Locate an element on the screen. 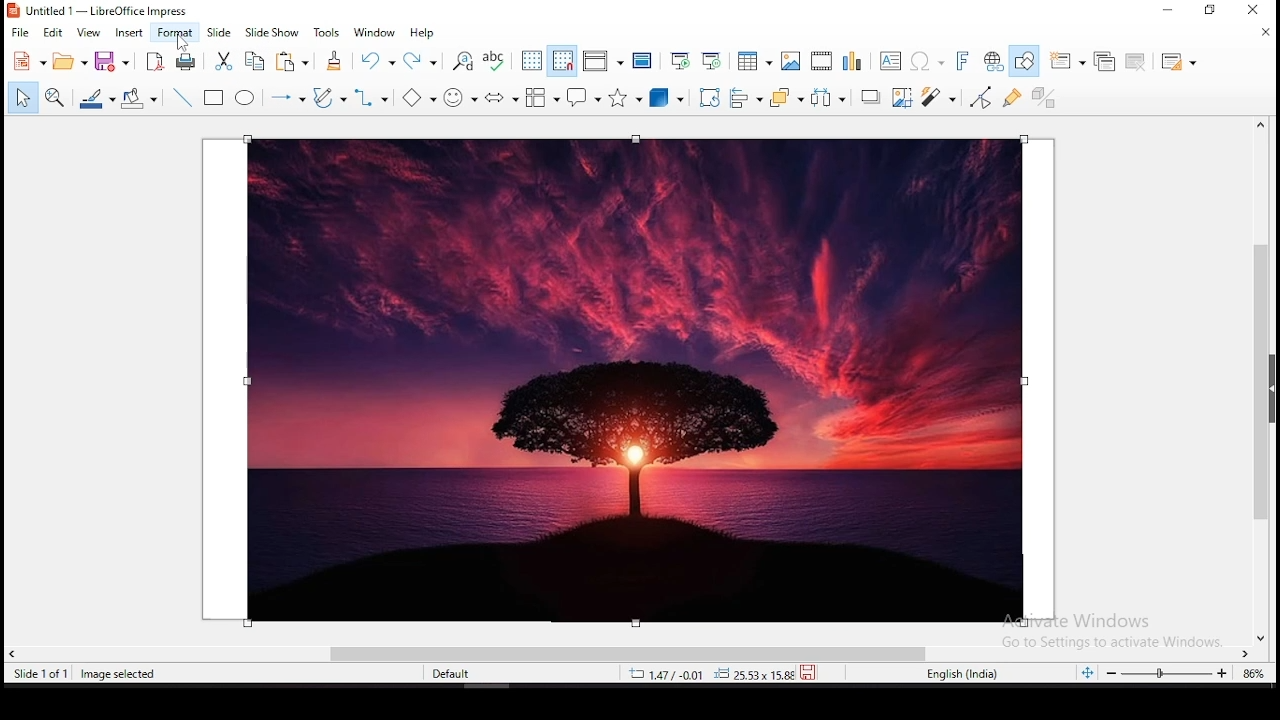 This screenshot has width=1280, height=720. print is located at coordinates (183, 61).